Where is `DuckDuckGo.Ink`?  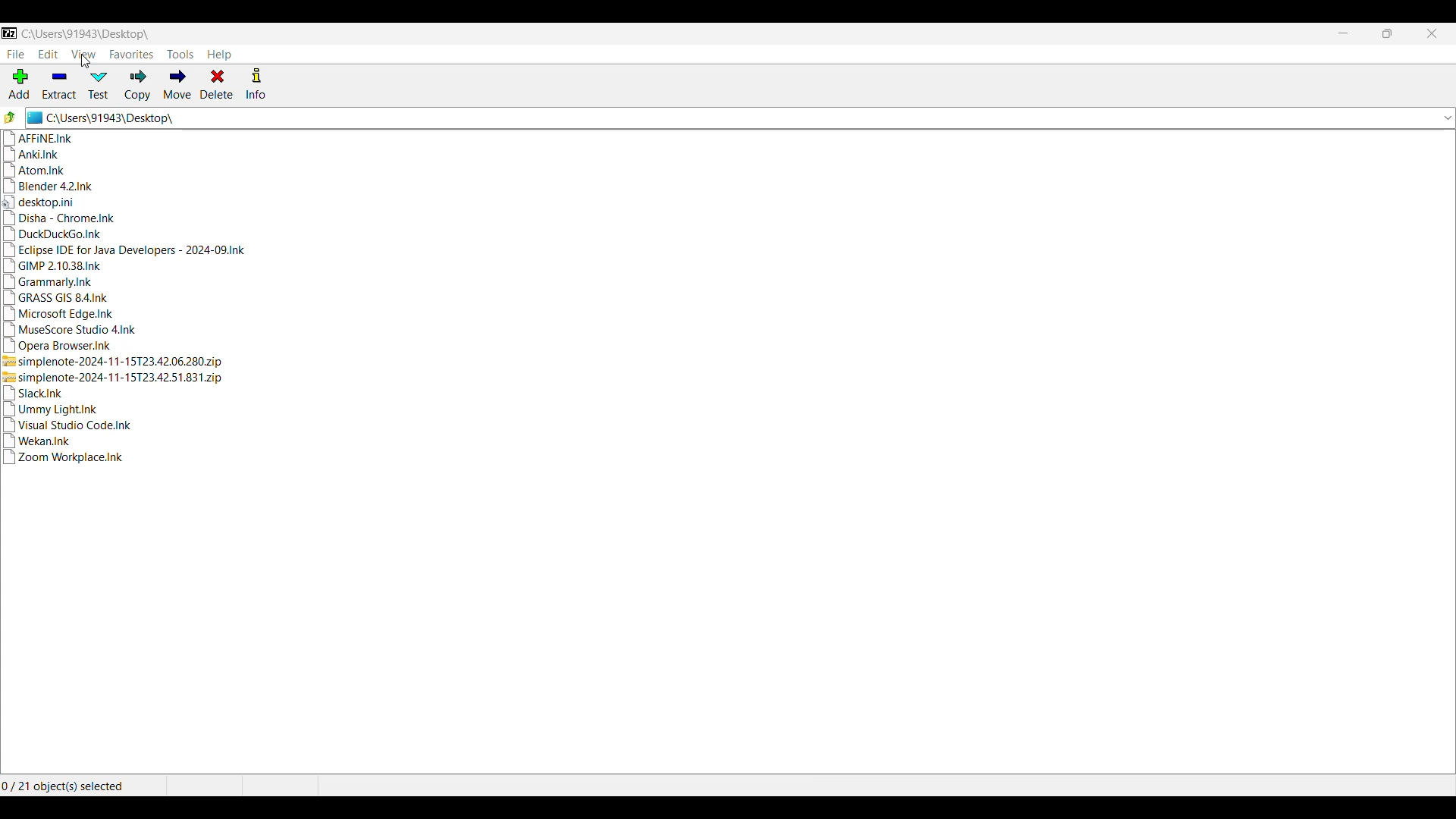
DuckDuckGo.Ink is located at coordinates (55, 234).